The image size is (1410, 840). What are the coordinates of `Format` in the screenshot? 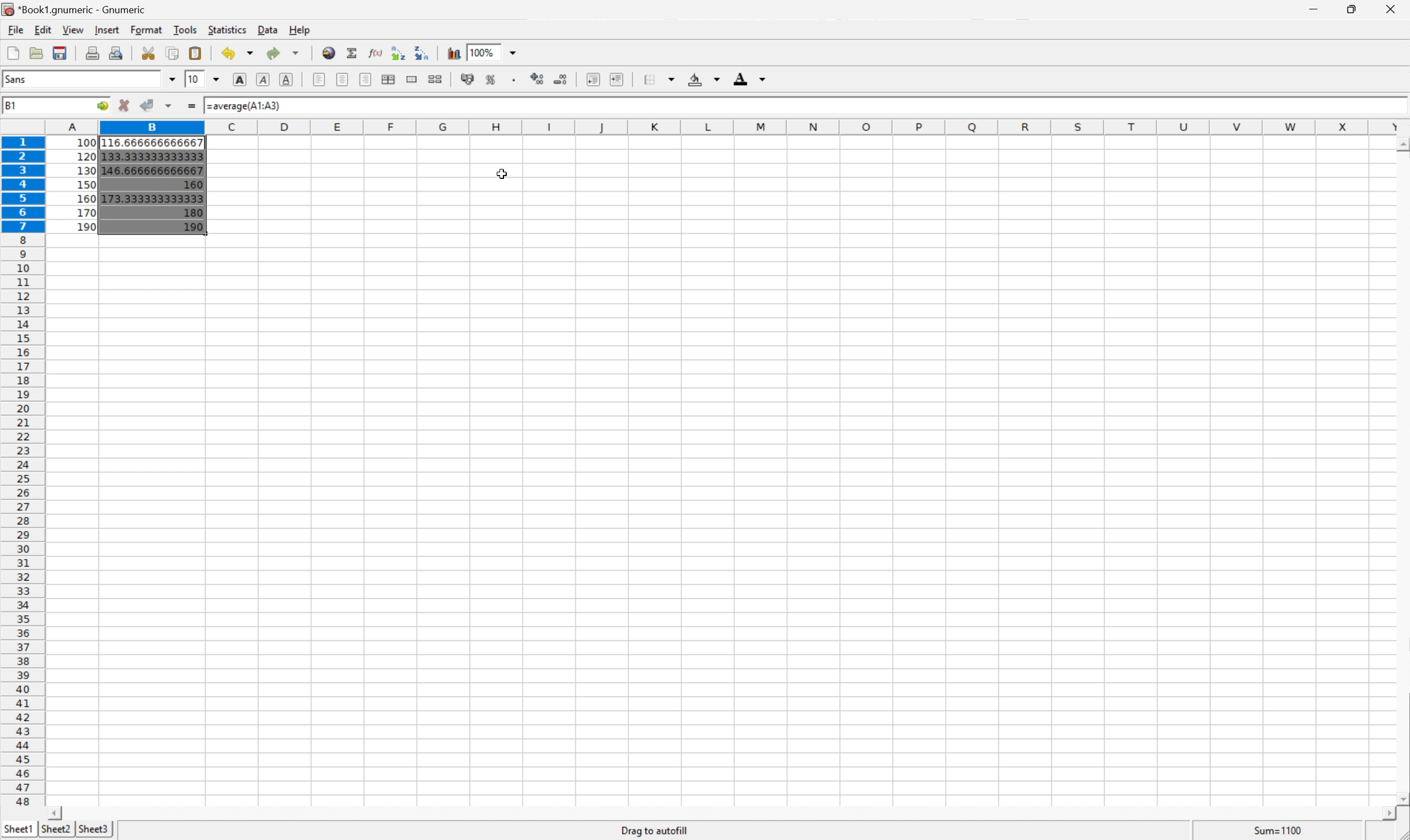 It's located at (147, 29).